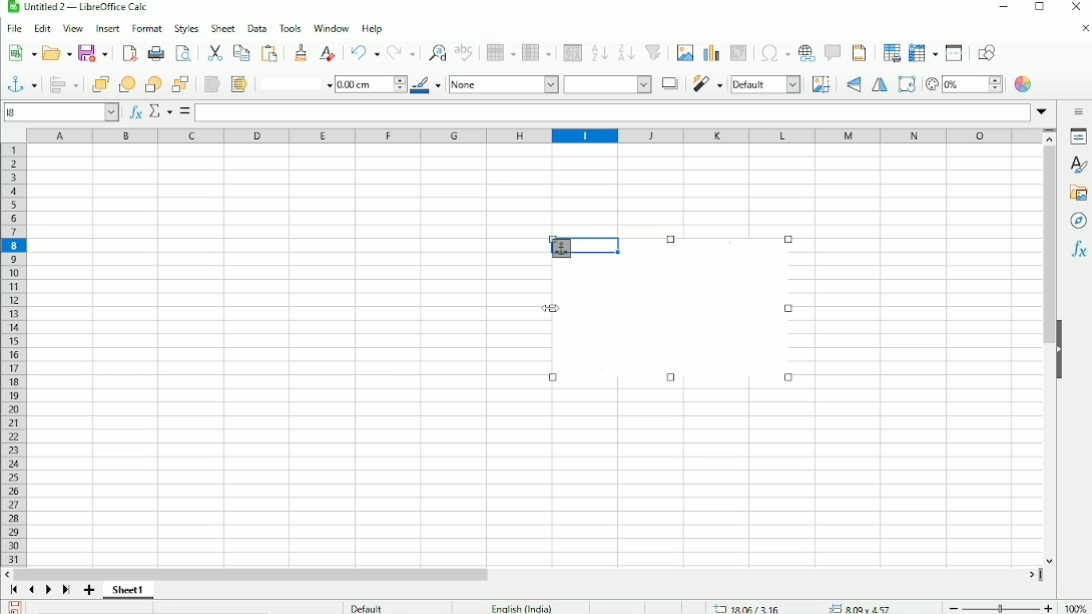 Image resolution: width=1092 pixels, height=614 pixels. I want to click on Close, so click(1076, 7).